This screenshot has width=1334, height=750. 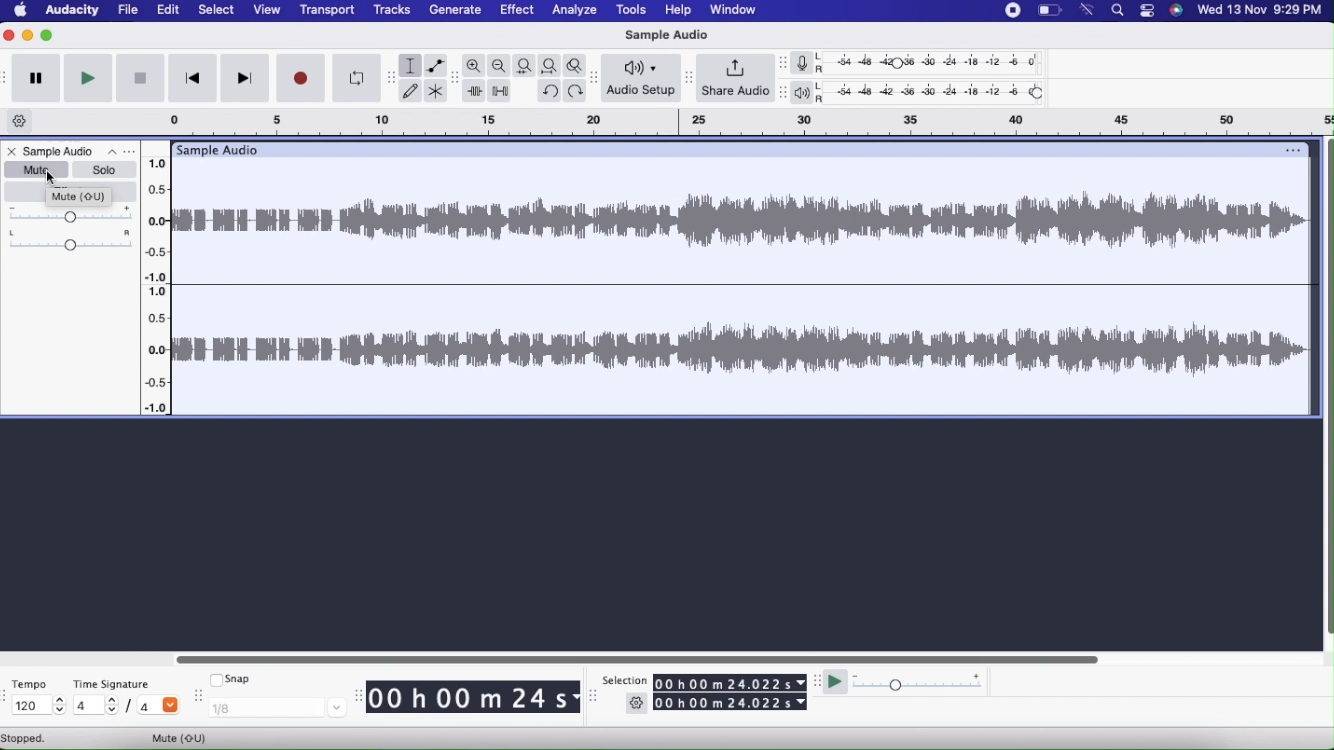 I want to click on Share Audio, so click(x=733, y=78).